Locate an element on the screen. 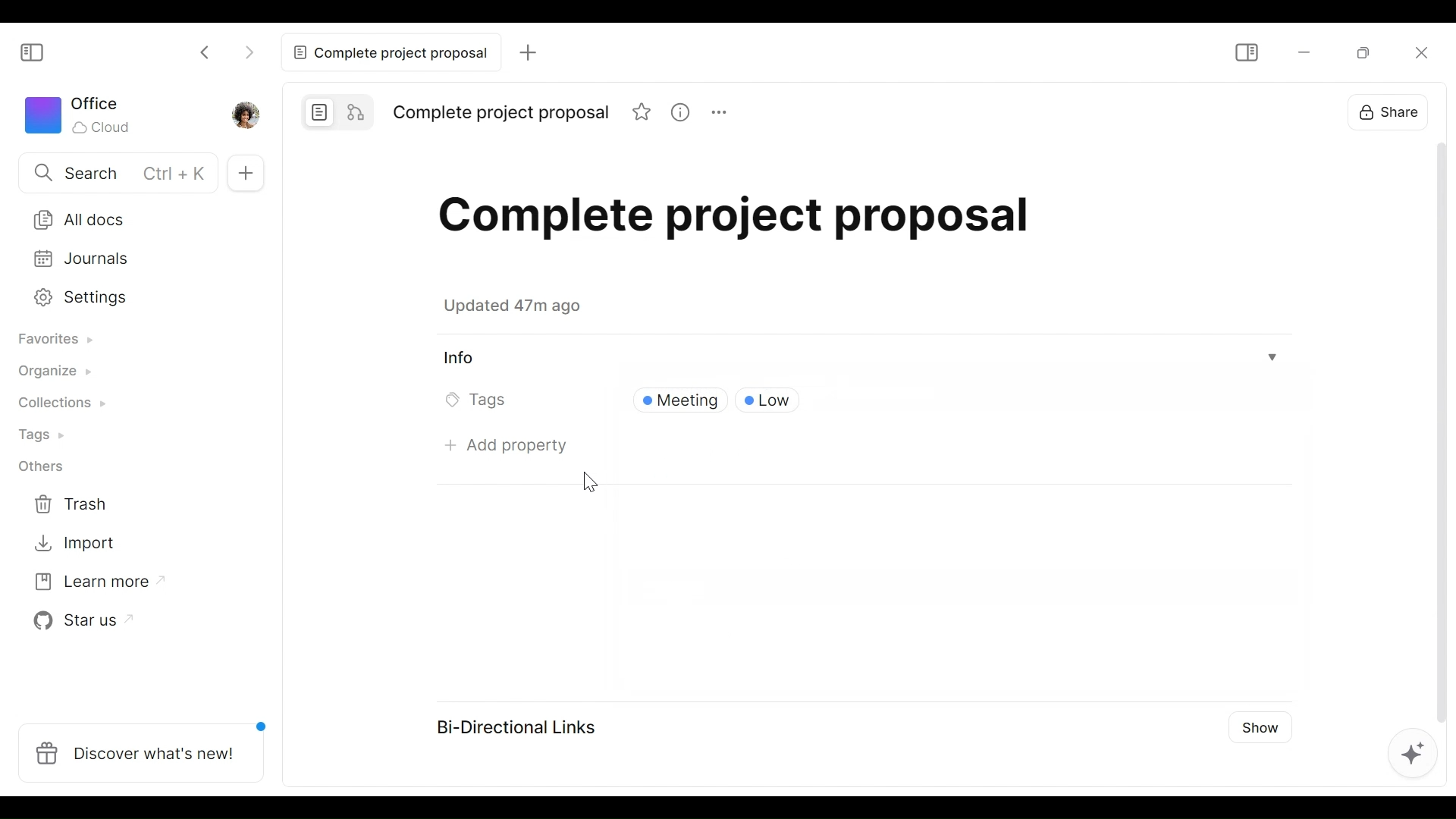 The width and height of the screenshot is (1456, 819). Bi-Directional Links is located at coordinates (522, 725).